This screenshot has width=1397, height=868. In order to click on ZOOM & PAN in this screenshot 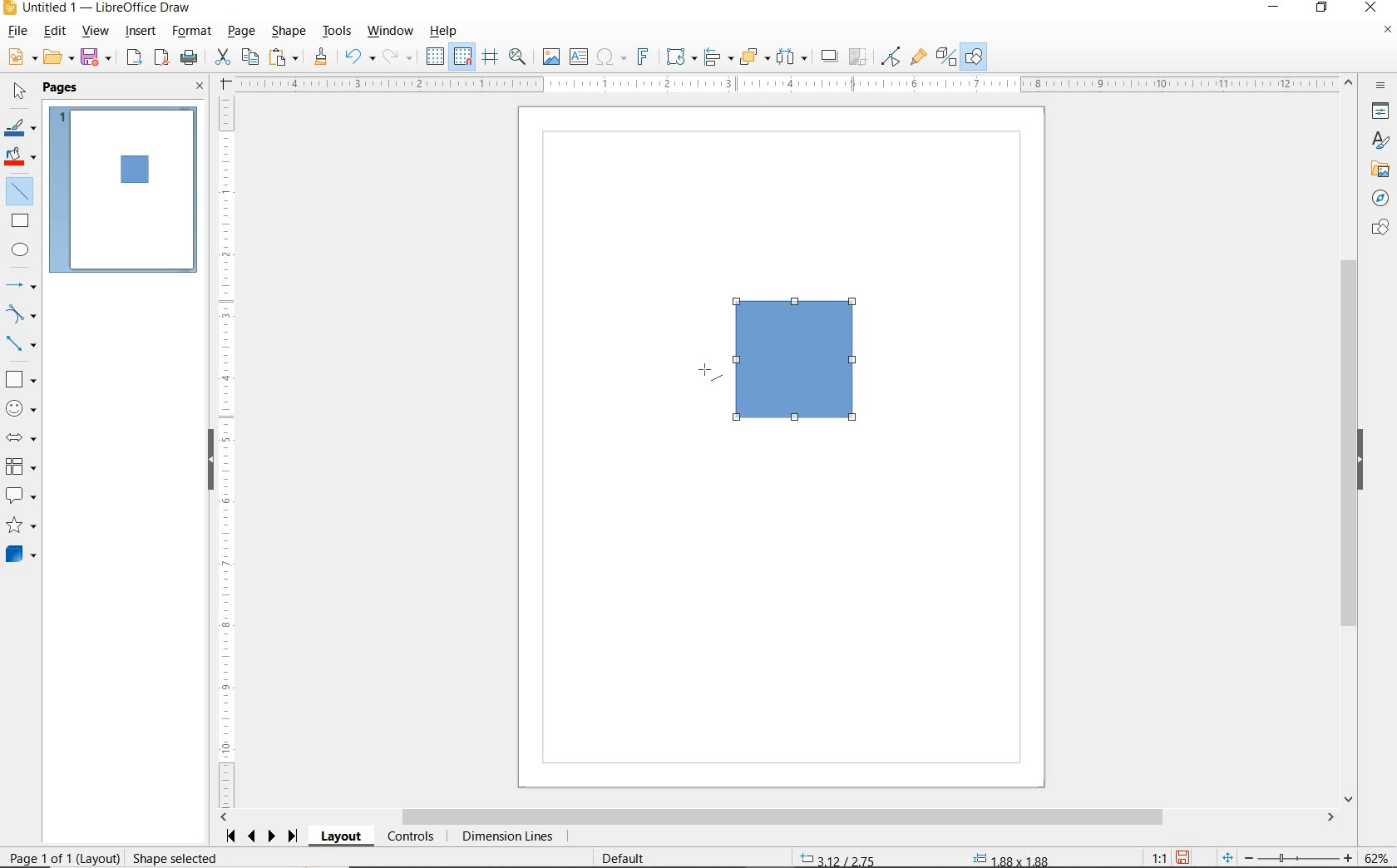, I will do `click(518, 57)`.